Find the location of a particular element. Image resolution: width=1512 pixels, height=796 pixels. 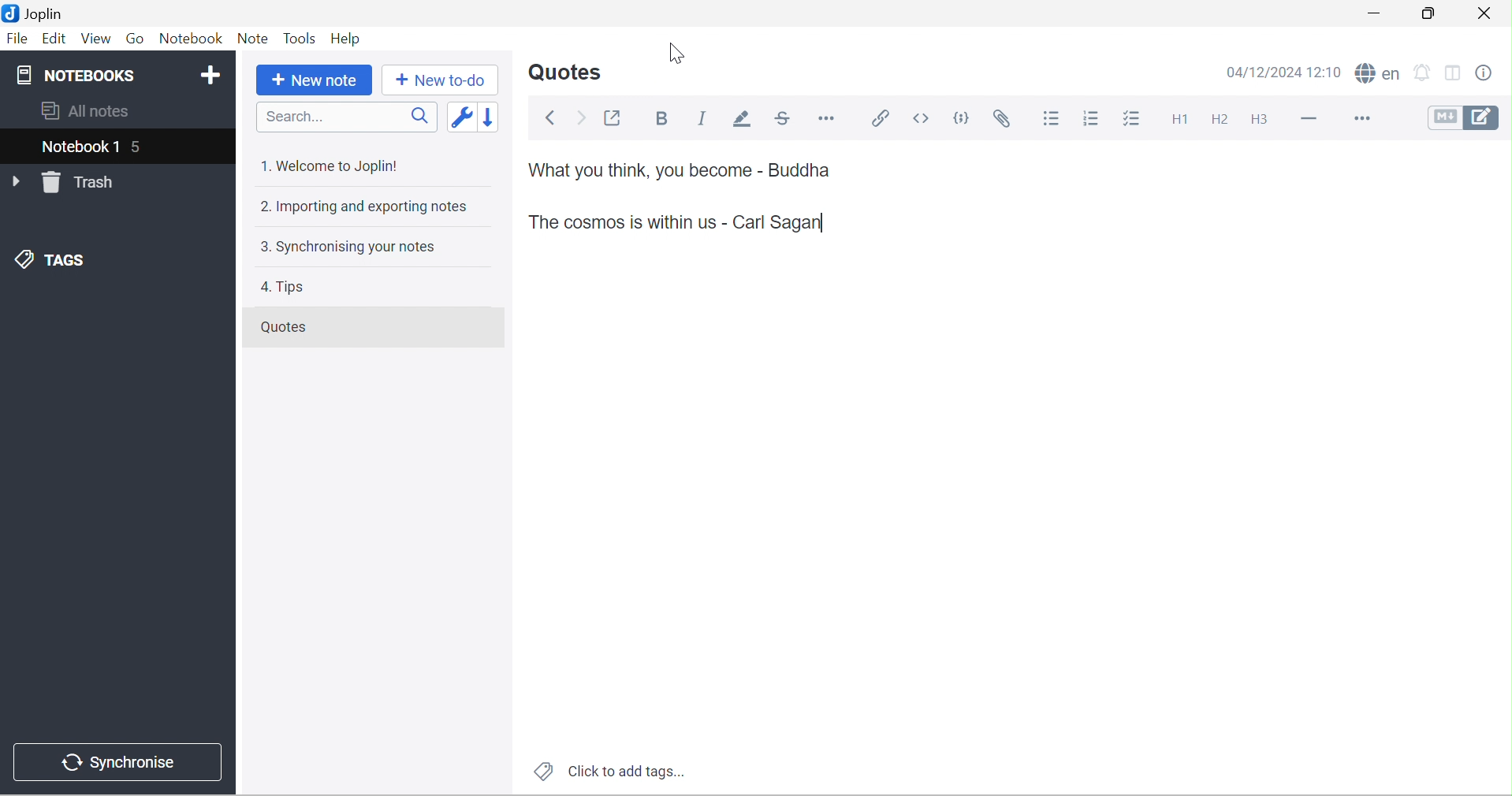

Toggle editors is located at coordinates (1468, 119).